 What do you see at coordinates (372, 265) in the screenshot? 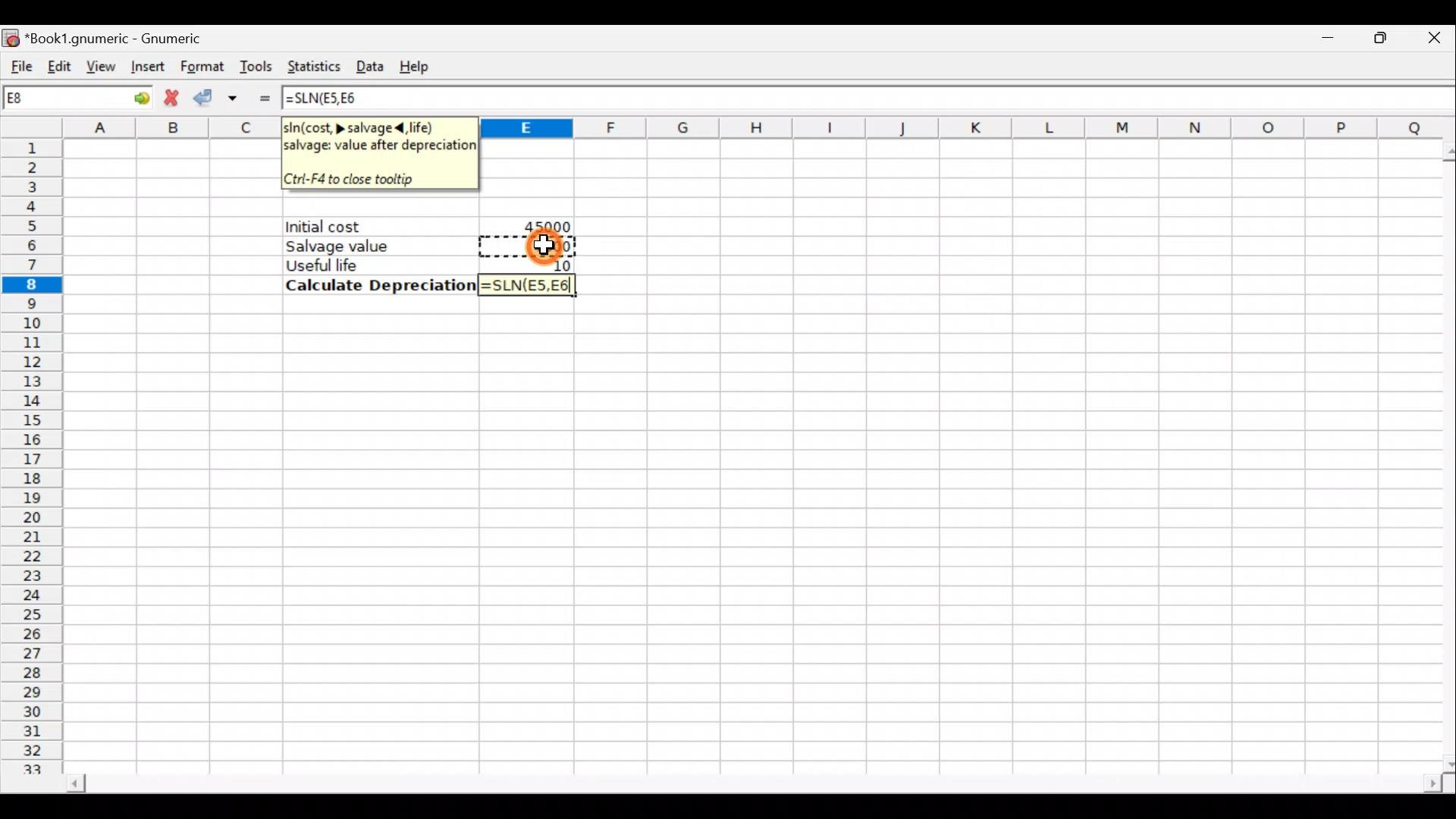
I see `Useful life` at bounding box center [372, 265].